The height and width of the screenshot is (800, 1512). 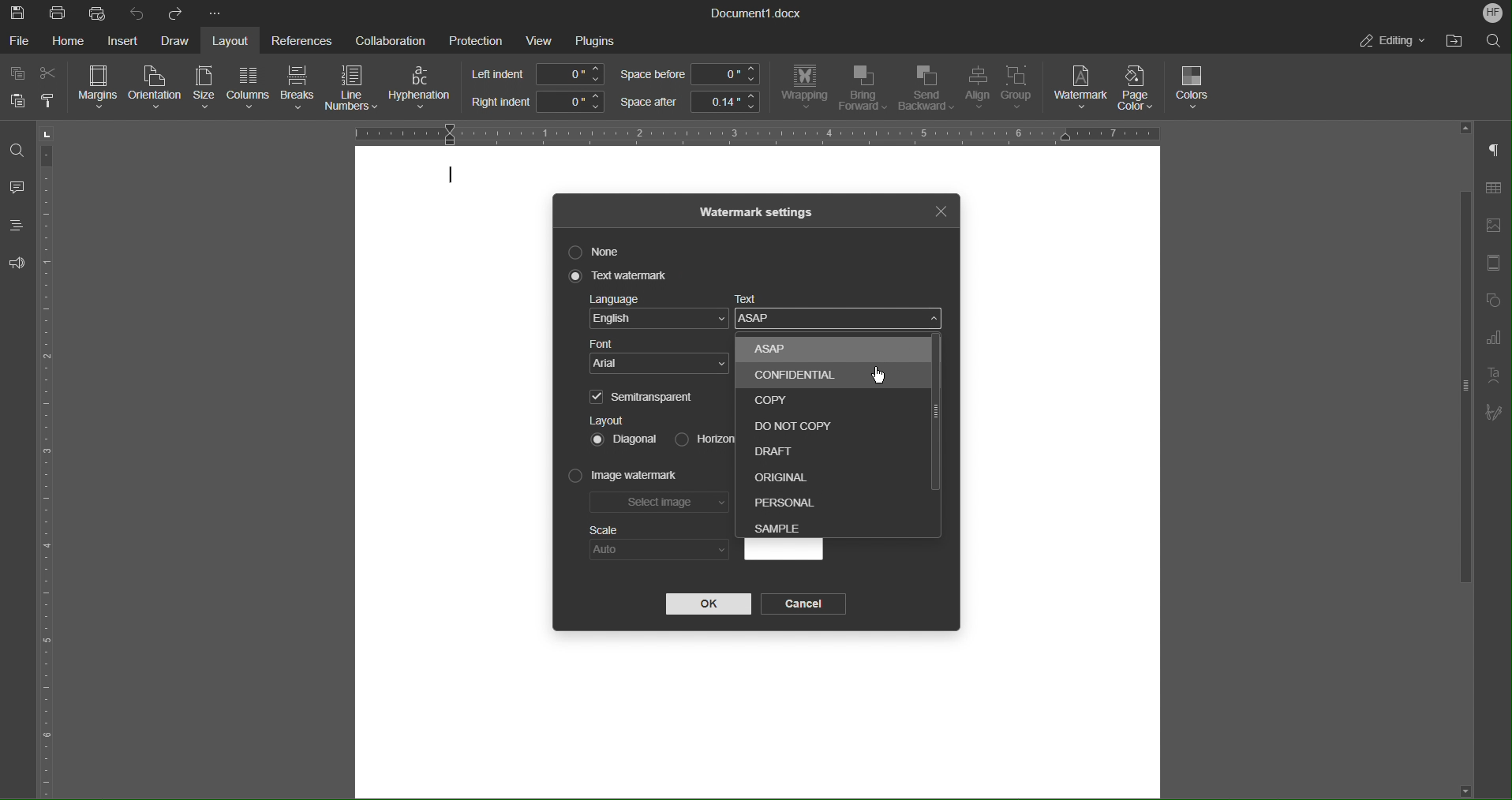 I want to click on None, so click(x=601, y=252).